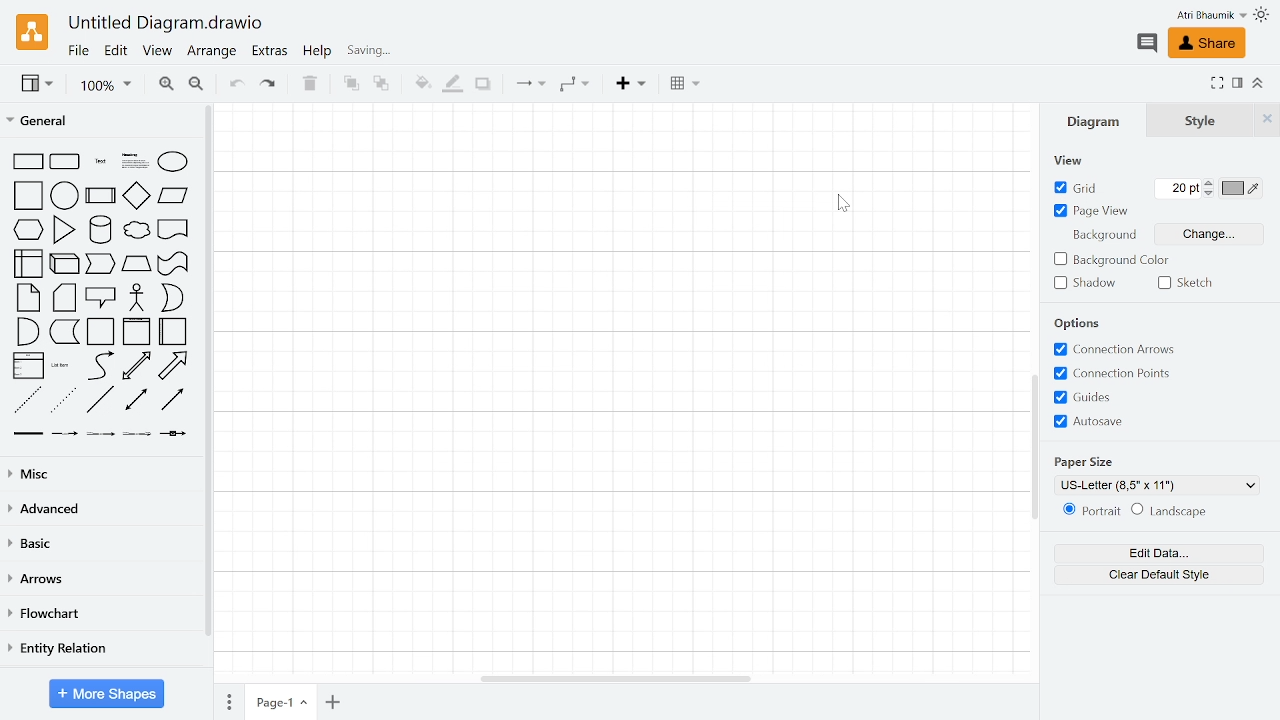 The width and height of the screenshot is (1280, 720). What do you see at coordinates (99, 616) in the screenshot?
I see `Flowchart` at bounding box center [99, 616].